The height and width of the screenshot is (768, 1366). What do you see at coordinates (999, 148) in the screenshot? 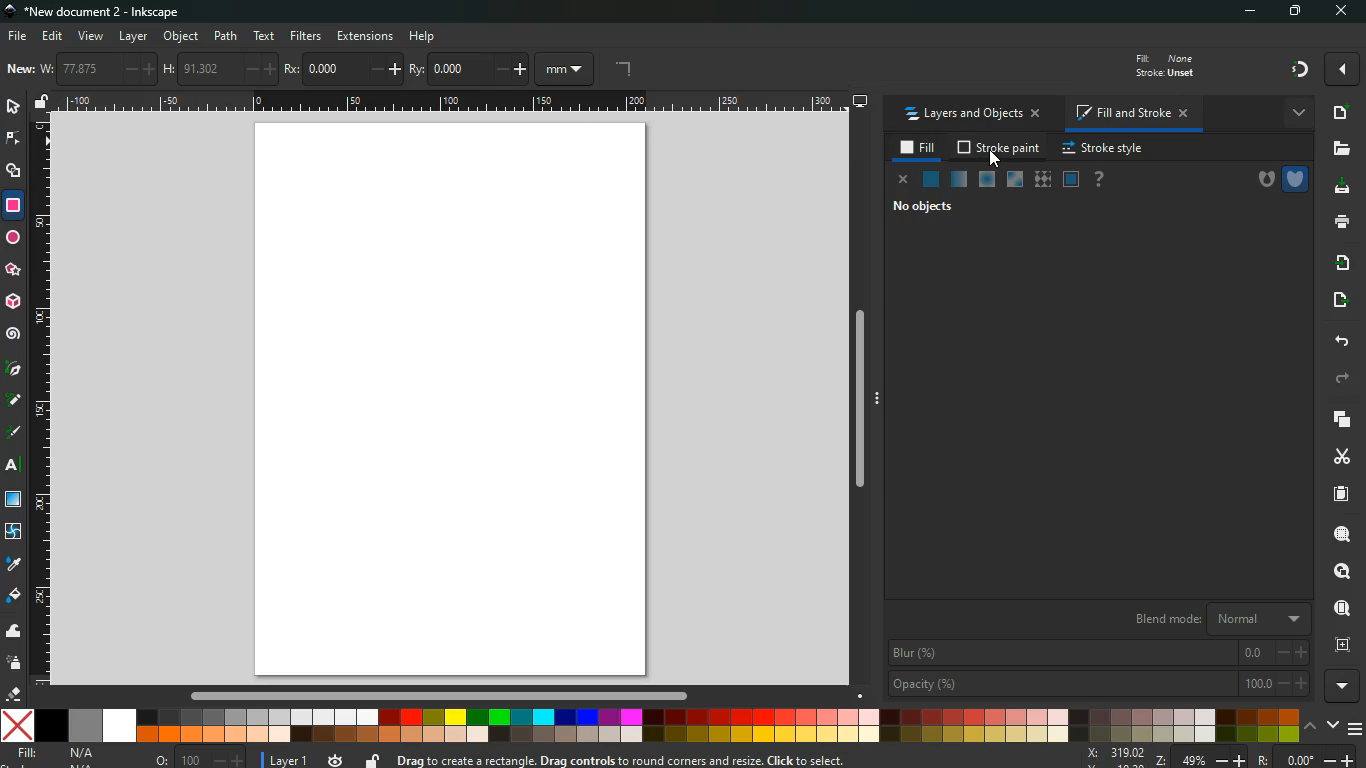
I see `stroke paint` at bounding box center [999, 148].